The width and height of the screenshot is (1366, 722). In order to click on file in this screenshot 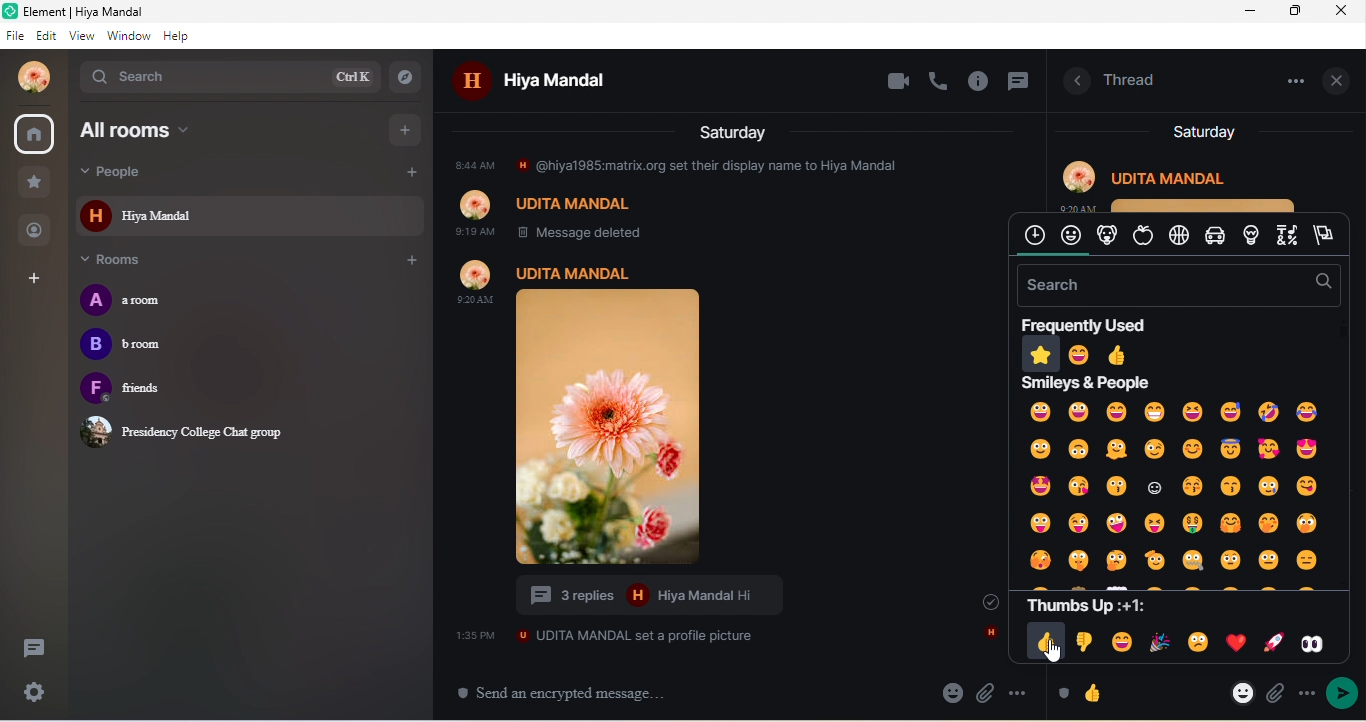, I will do `click(16, 36)`.